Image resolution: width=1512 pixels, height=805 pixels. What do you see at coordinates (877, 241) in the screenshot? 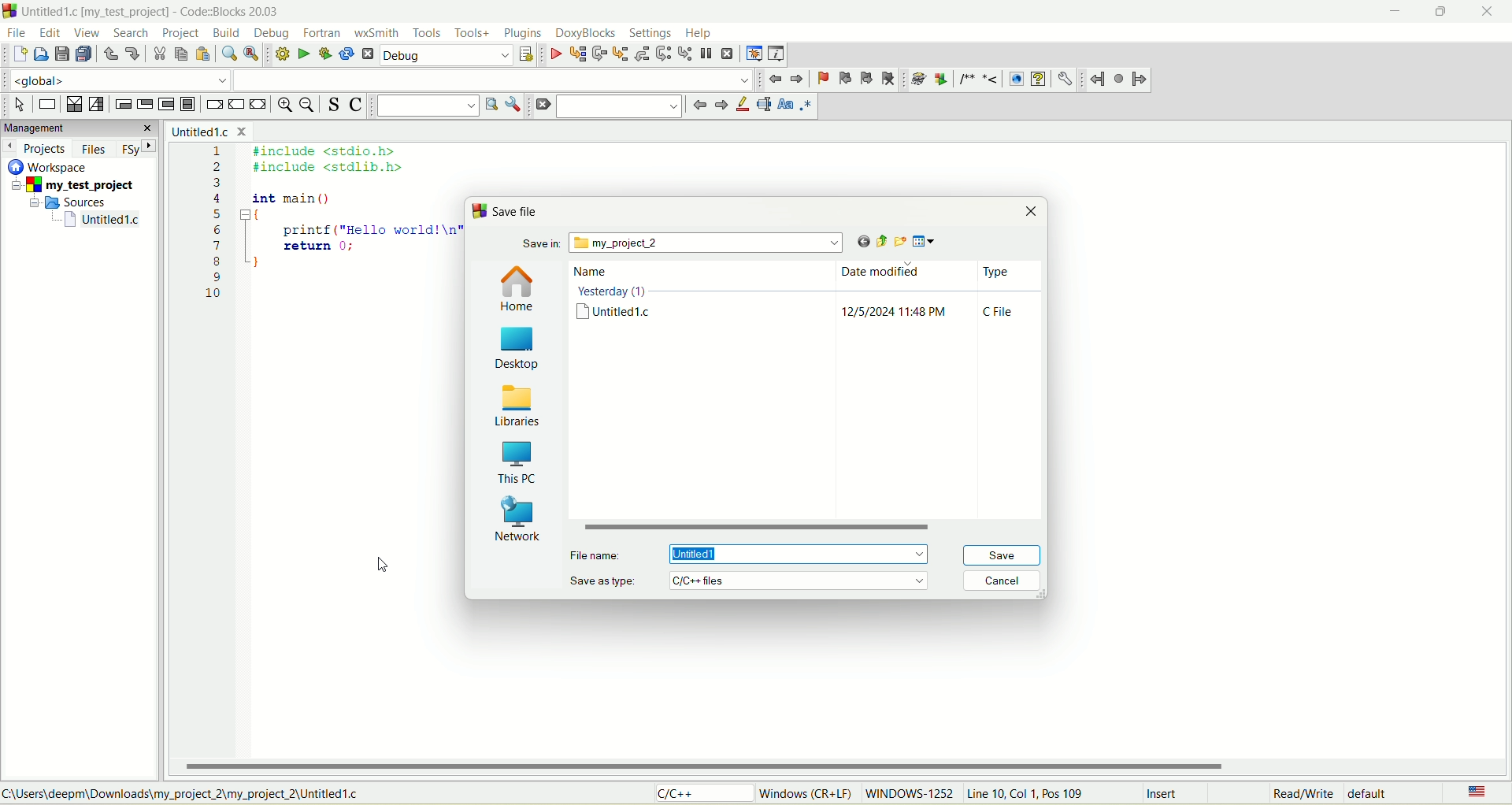
I see `up level` at bounding box center [877, 241].